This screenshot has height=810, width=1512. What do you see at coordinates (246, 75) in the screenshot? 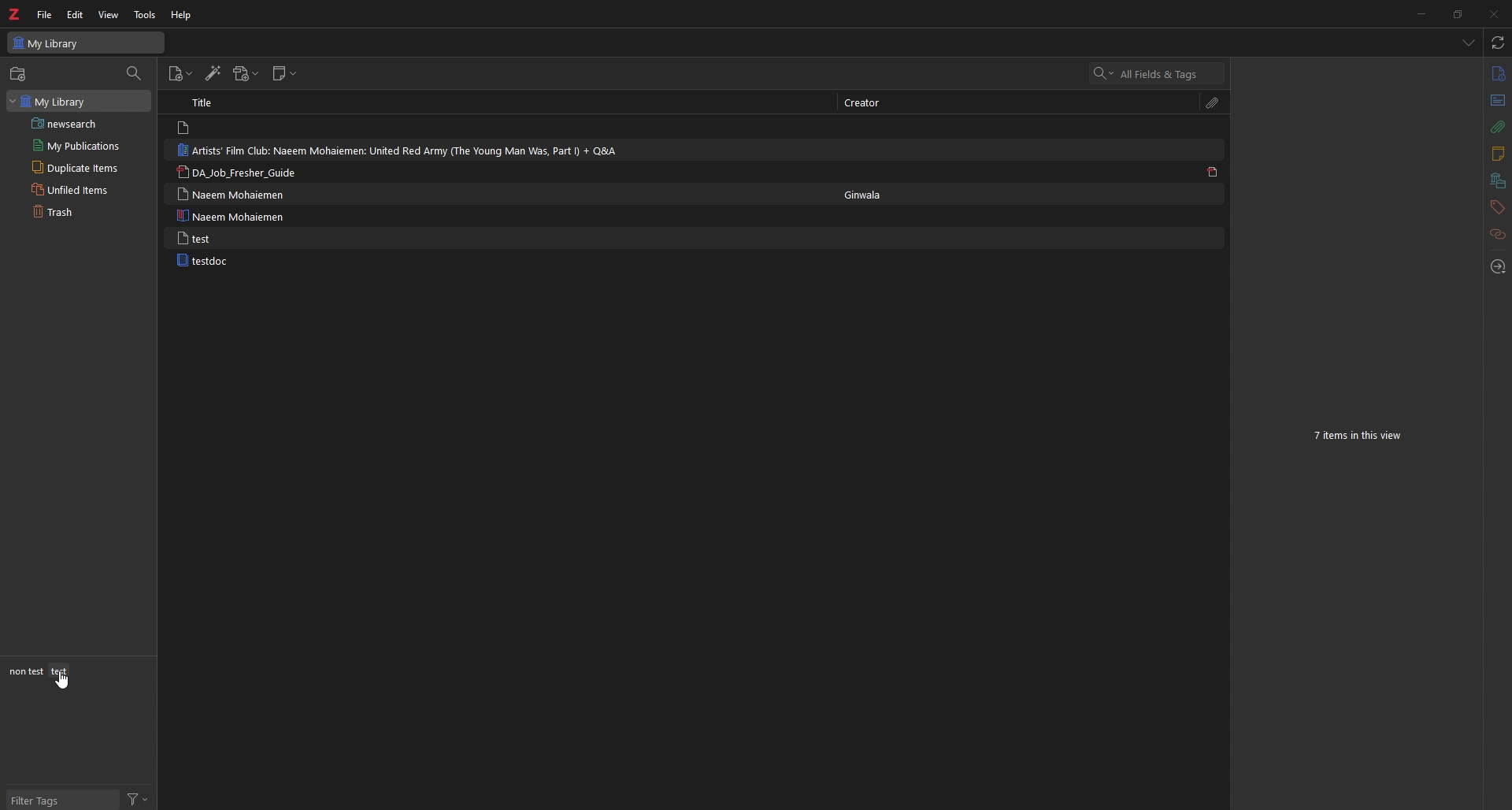
I see `add attachment` at bounding box center [246, 75].